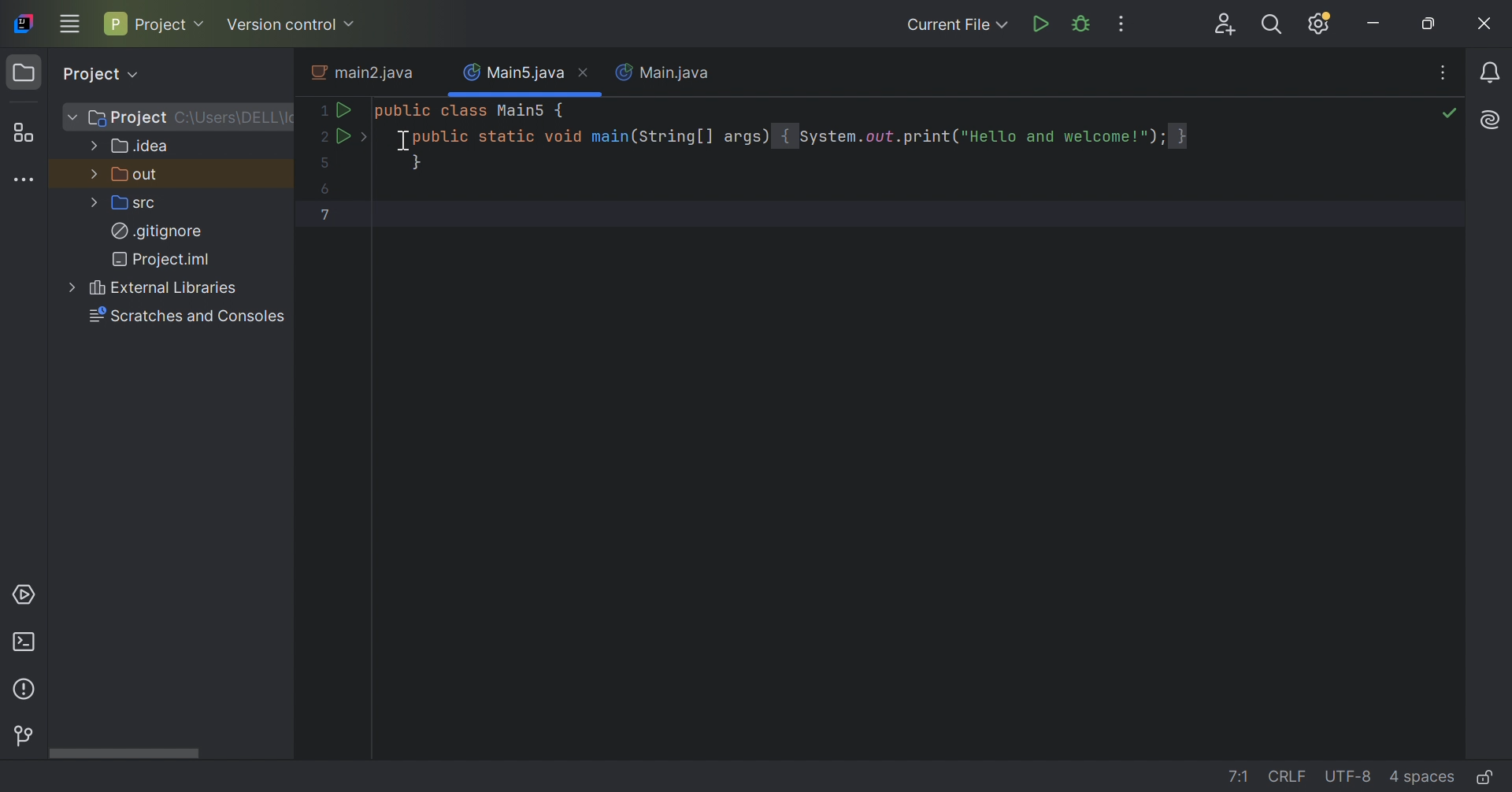  I want to click on More, so click(94, 202).